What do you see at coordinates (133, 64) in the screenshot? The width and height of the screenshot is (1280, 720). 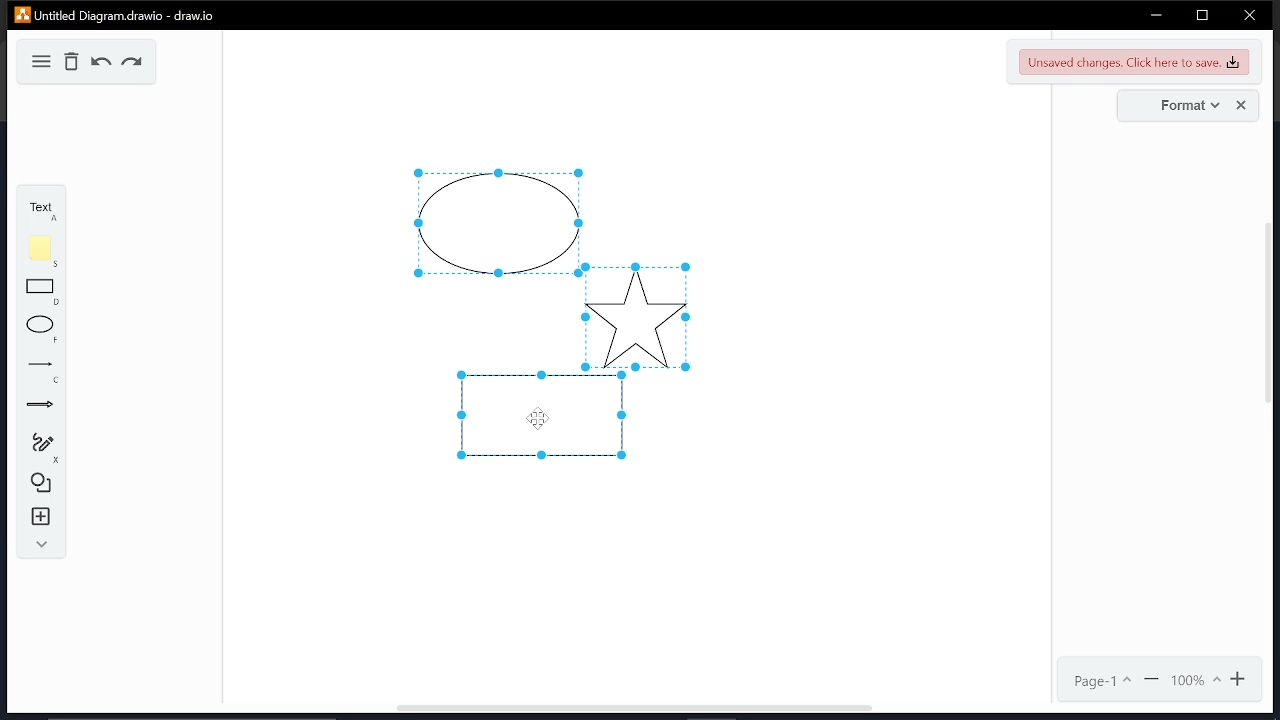 I see `redo` at bounding box center [133, 64].